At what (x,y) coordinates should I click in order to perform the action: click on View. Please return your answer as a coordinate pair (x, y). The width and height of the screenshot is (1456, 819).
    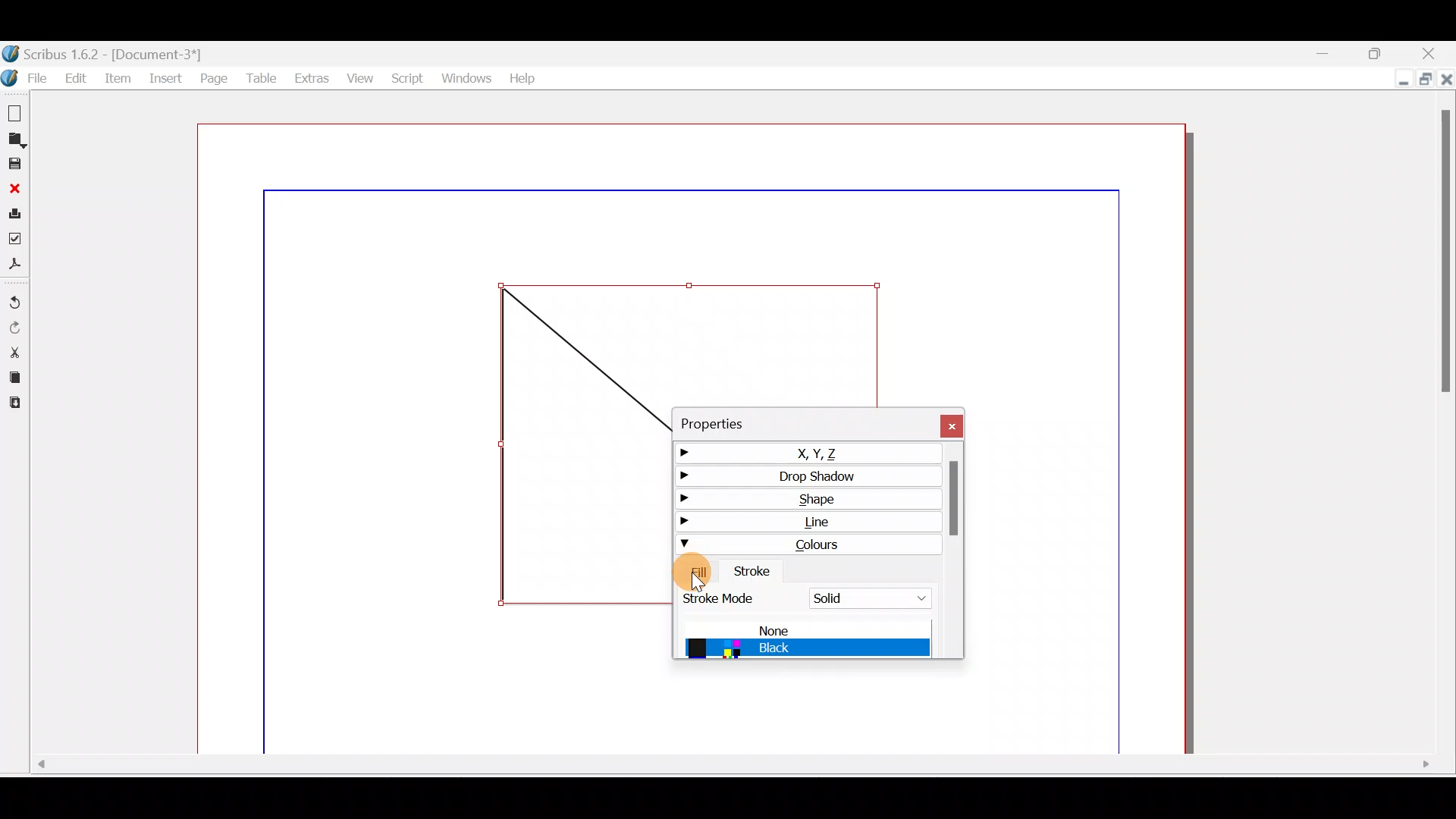
    Looking at the image, I should click on (358, 75).